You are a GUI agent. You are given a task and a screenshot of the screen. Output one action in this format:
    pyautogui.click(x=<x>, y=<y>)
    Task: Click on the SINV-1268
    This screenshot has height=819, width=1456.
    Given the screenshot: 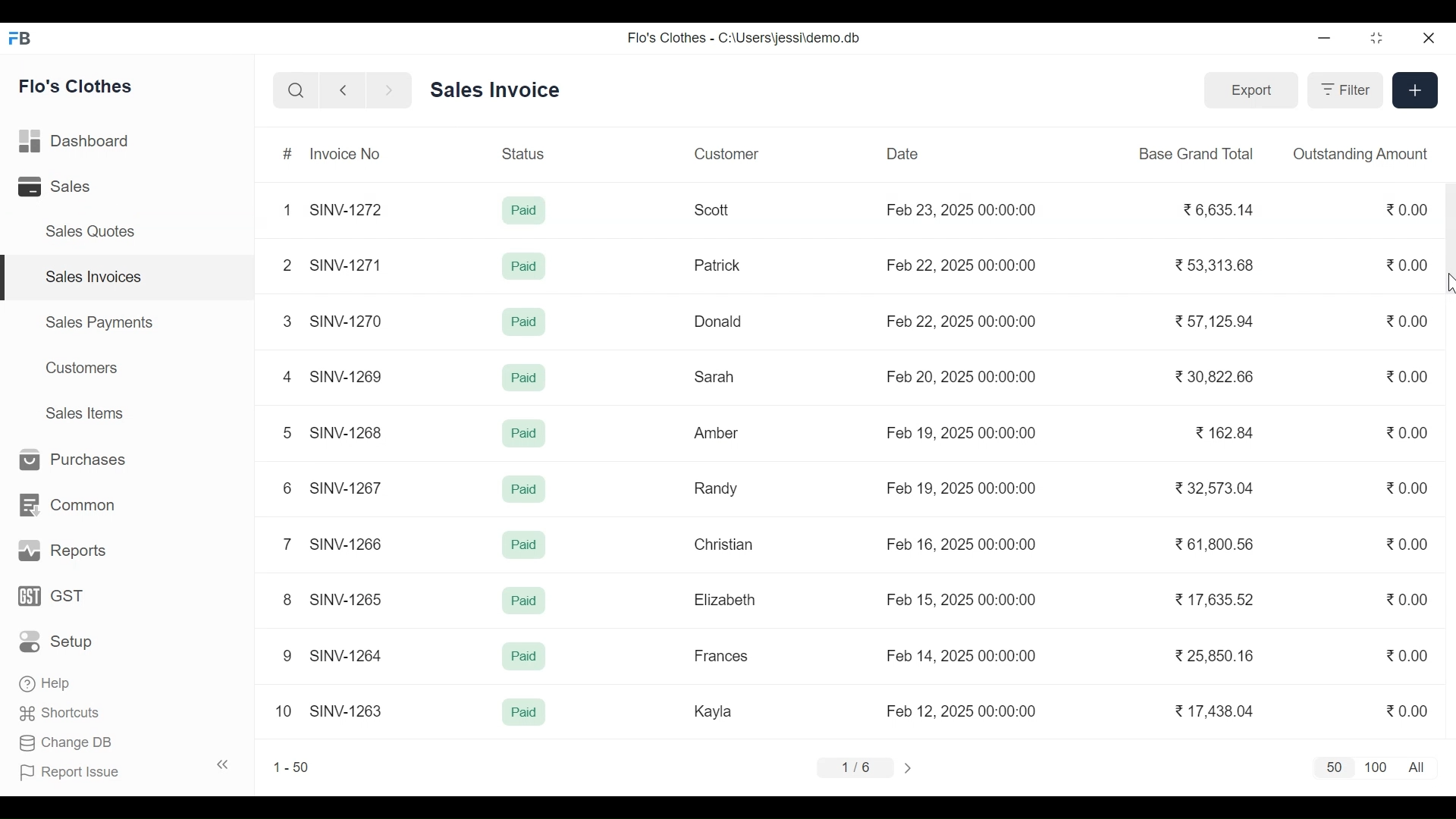 What is the action you would take?
    pyautogui.click(x=348, y=431)
    